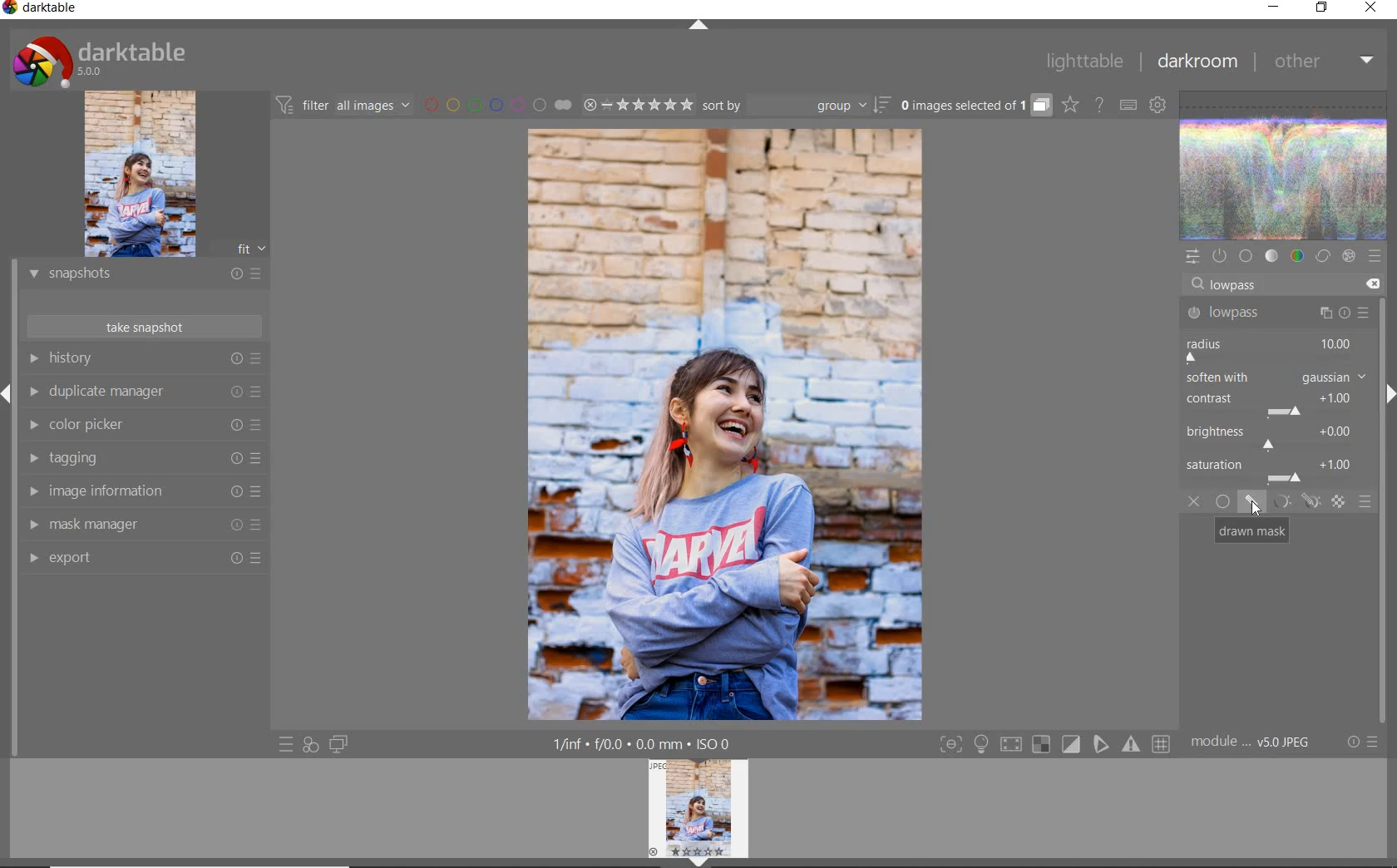  Describe the element at coordinates (1223, 283) in the screenshot. I see `cursor` at that location.